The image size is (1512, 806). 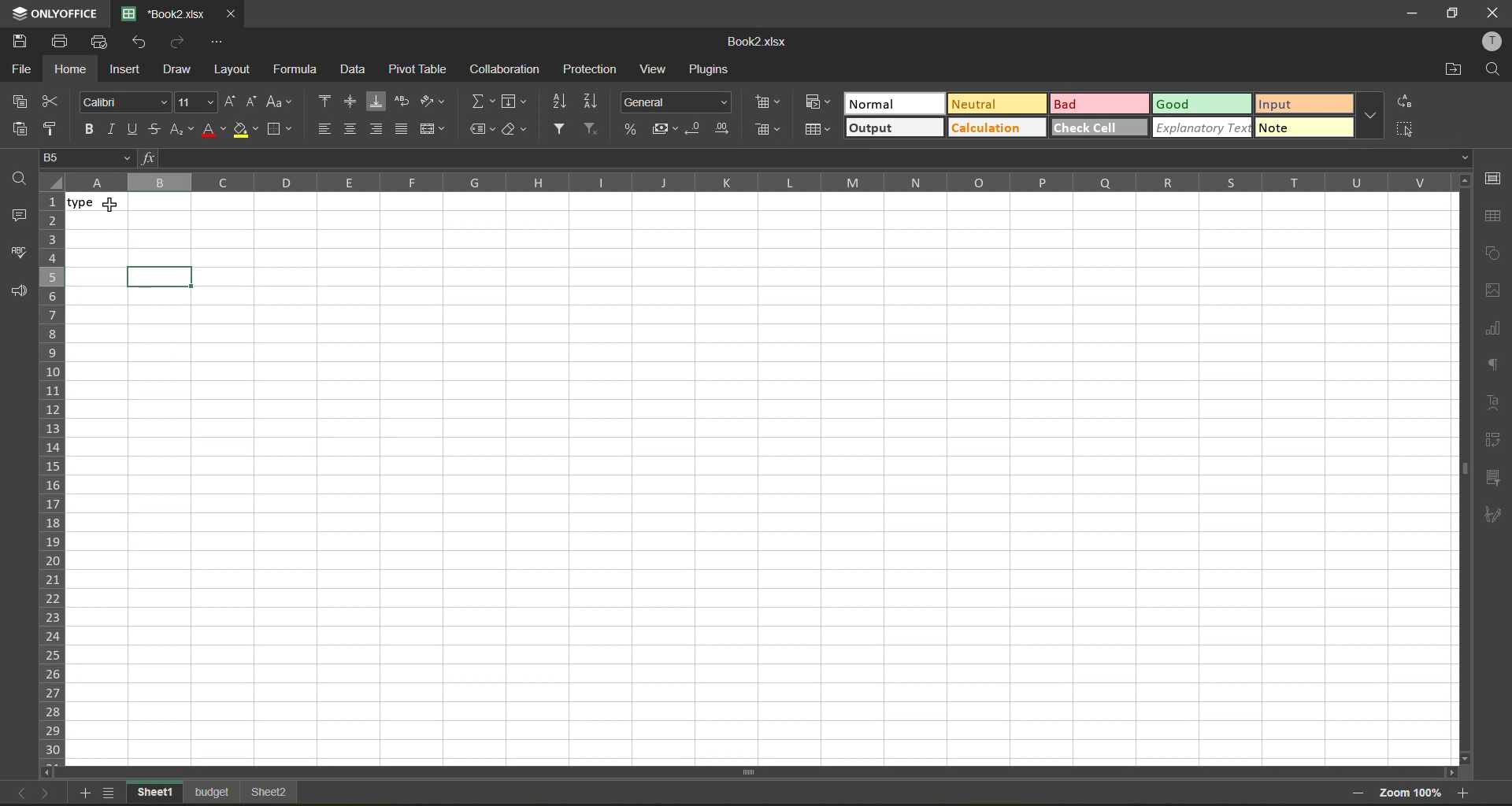 I want to click on fill color, so click(x=245, y=131).